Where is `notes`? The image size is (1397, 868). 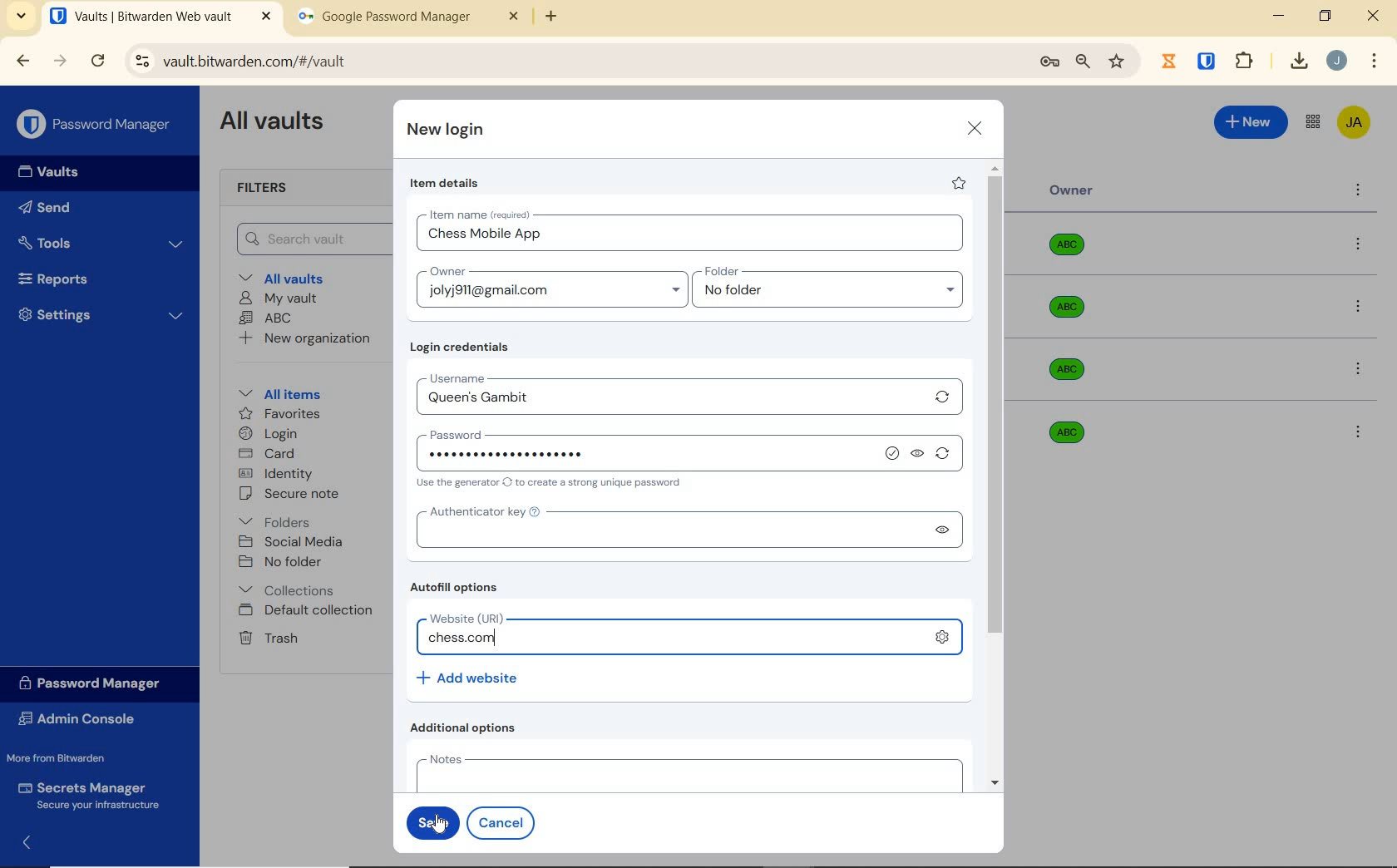 notes is located at coordinates (685, 772).